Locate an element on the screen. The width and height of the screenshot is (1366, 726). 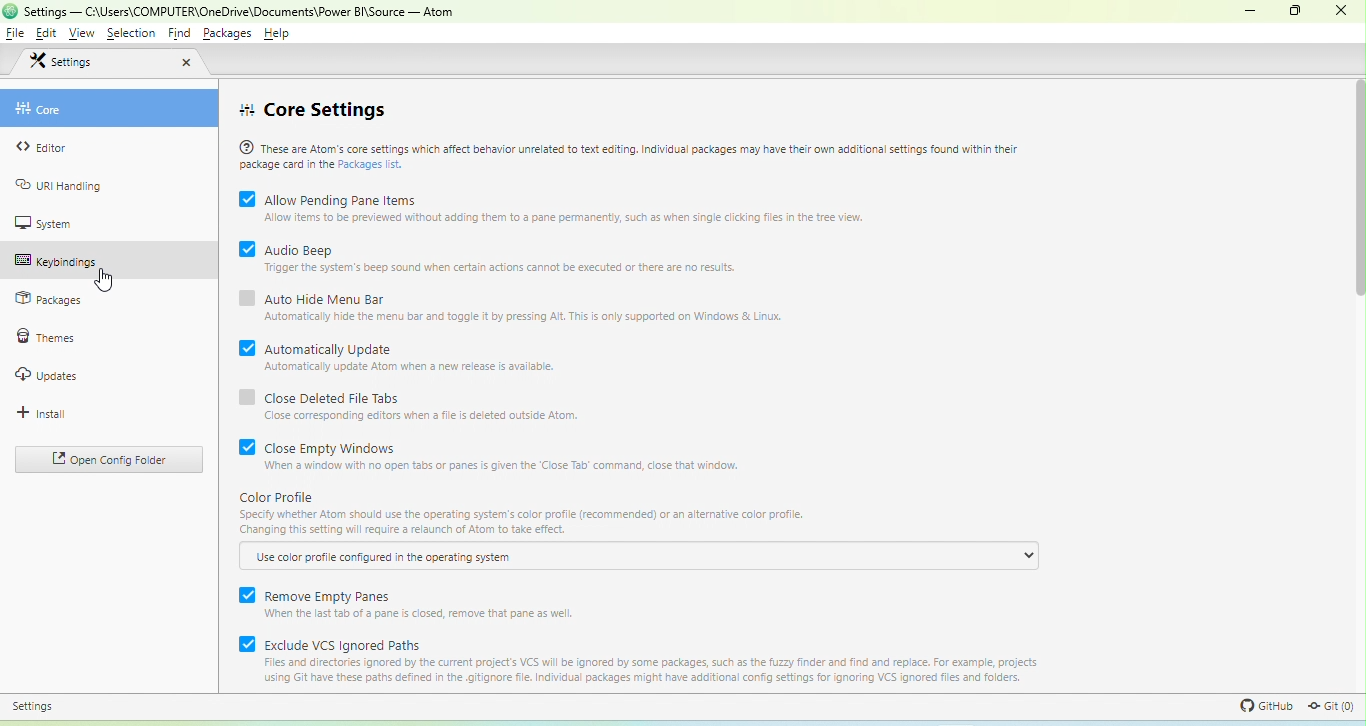
allow pending pane items is located at coordinates (328, 197).